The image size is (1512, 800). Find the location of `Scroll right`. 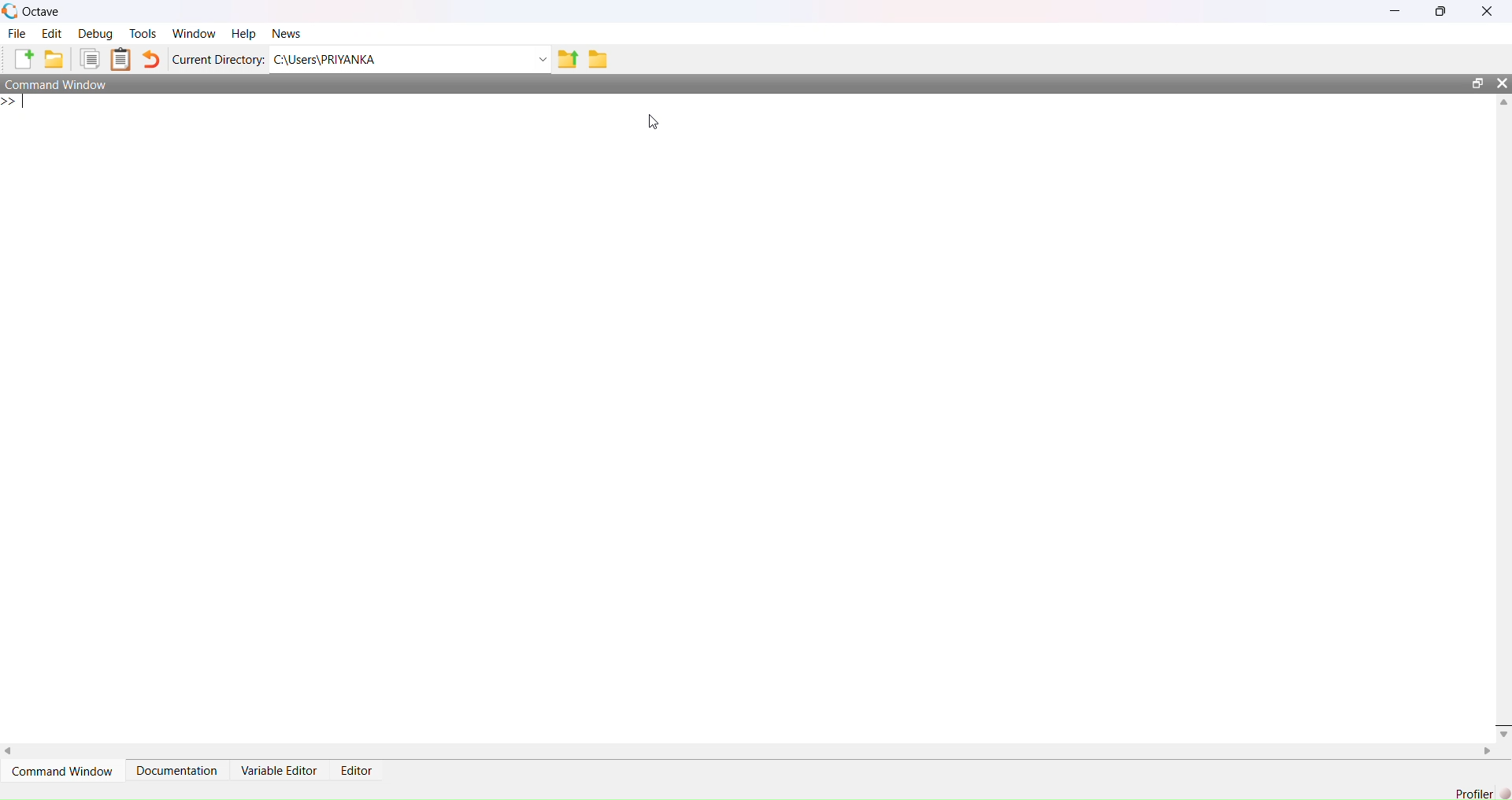

Scroll right is located at coordinates (1485, 751).